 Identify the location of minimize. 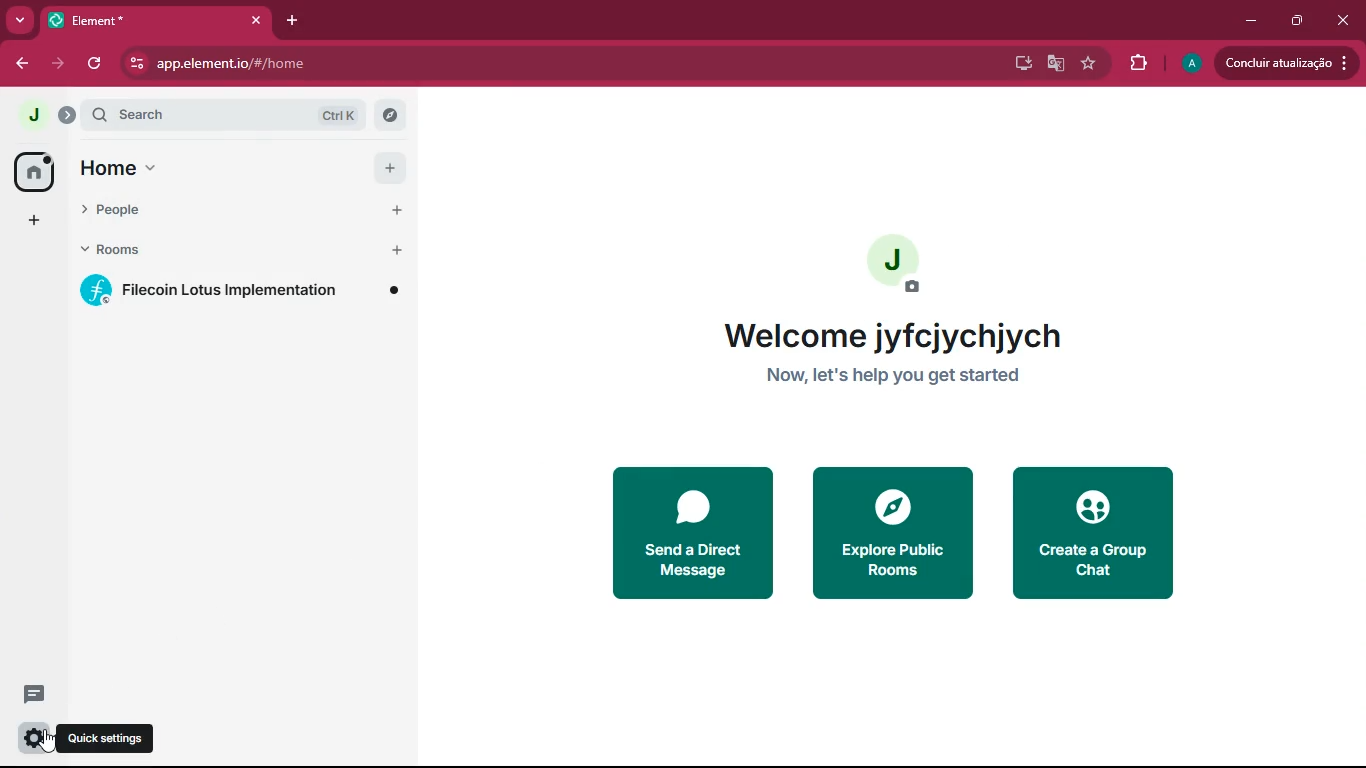
(1249, 19).